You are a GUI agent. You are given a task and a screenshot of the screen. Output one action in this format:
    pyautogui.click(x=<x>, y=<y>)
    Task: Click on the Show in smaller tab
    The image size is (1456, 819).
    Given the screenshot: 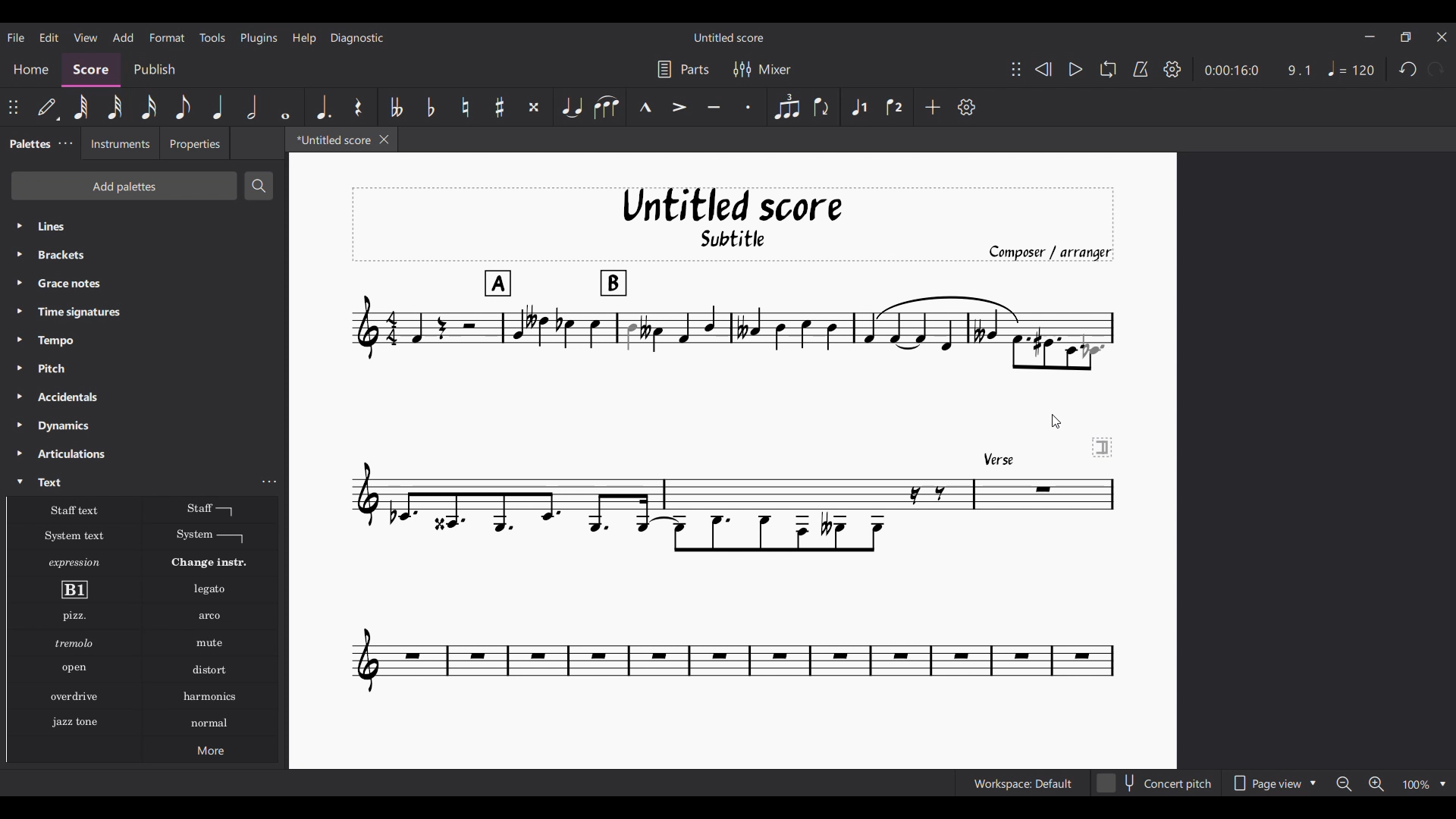 What is the action you would take?
    pyautogui.click(x=1405, y=37)
    